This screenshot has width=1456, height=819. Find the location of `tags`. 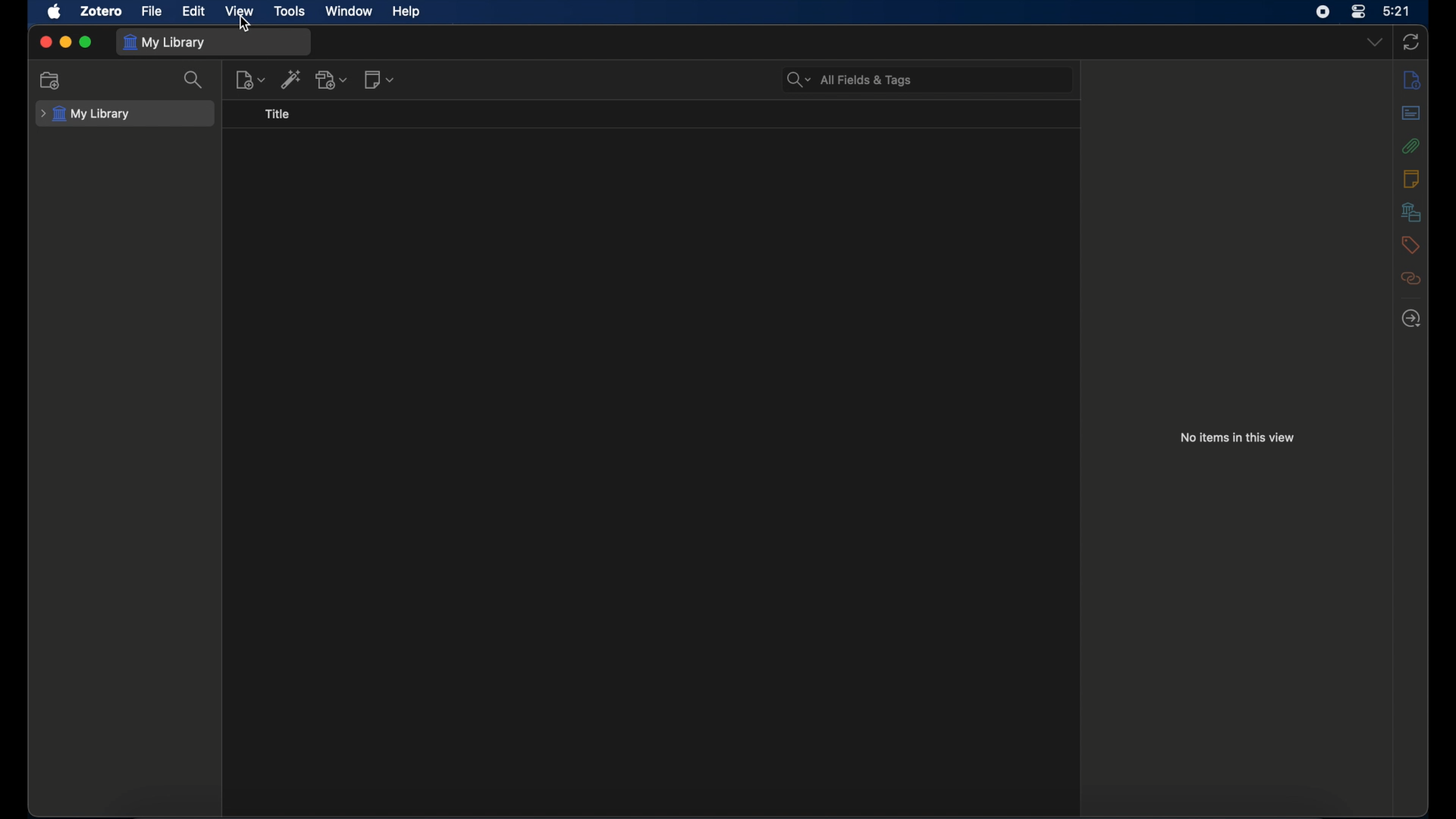

tags is located at coordinates (1410, 244).